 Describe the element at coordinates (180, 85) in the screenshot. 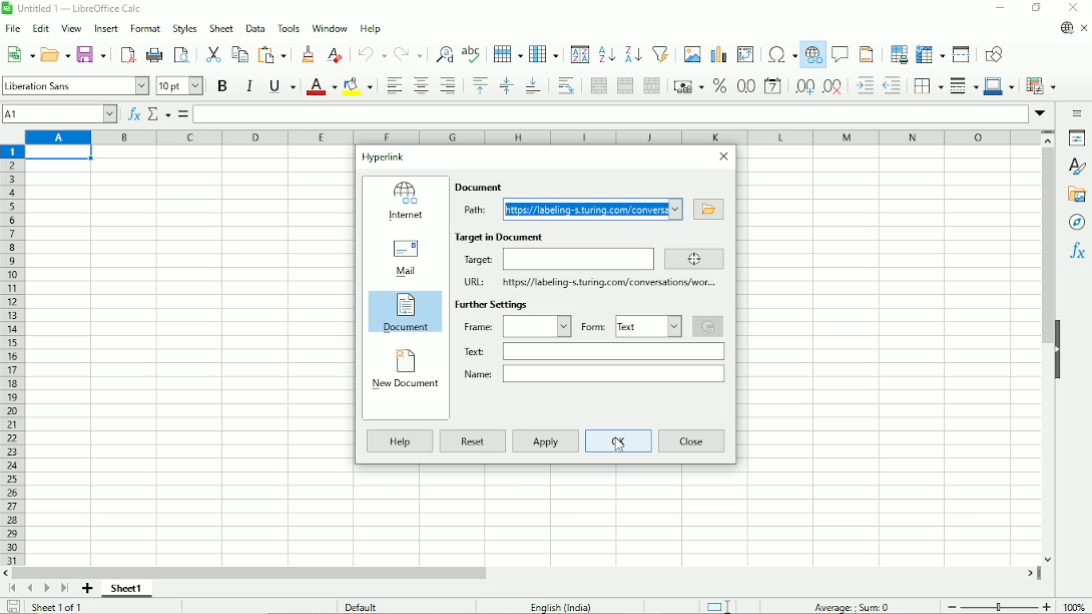

I see `10PT` at that location.